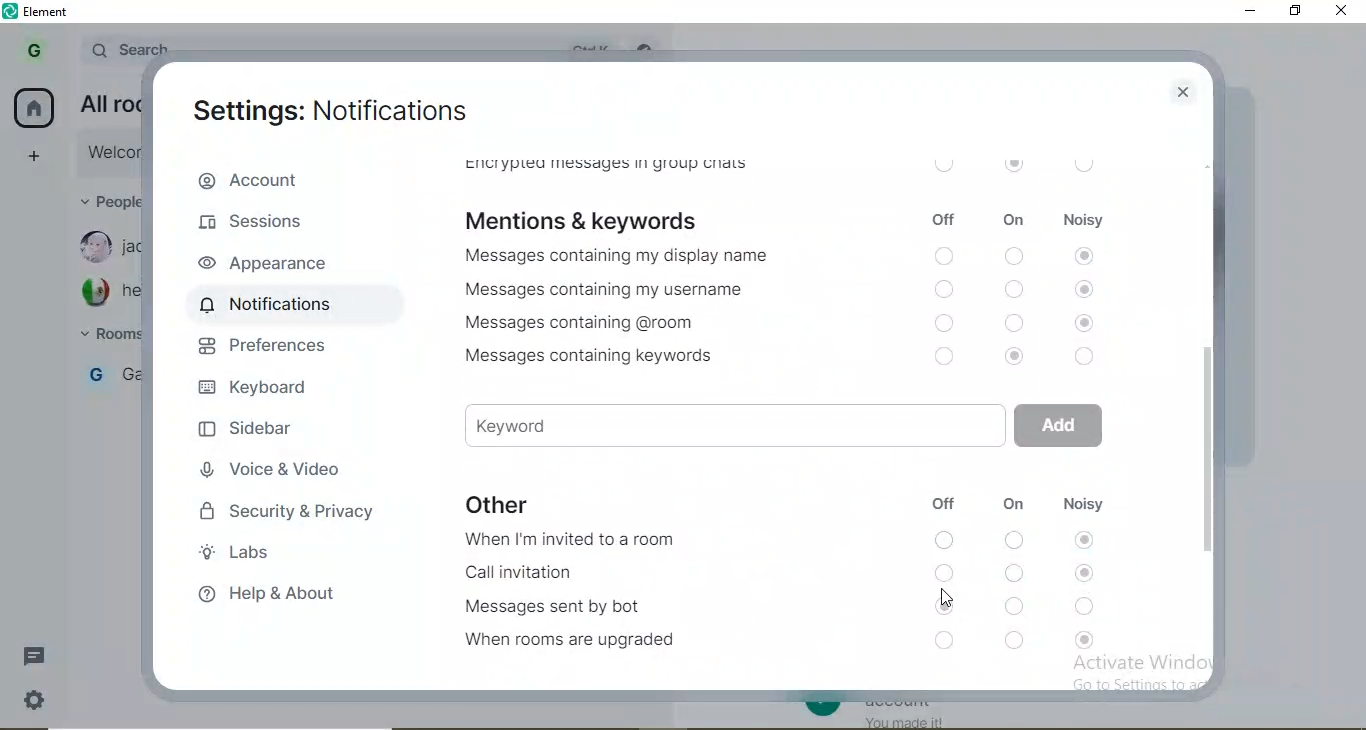 Image resolution: width=1366 pixels, height=730 pixels. I want to click on switch off, so click(999, 257).